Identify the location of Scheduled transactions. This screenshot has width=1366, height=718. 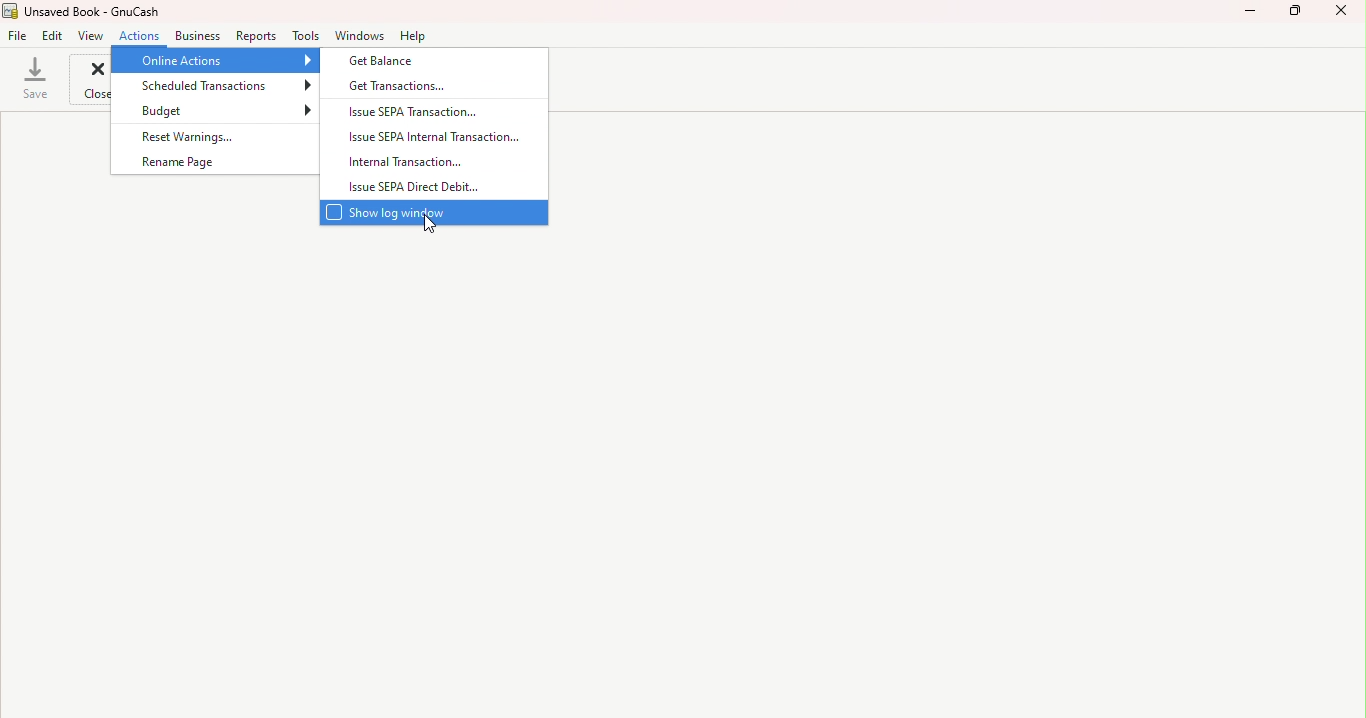
(212, 86).